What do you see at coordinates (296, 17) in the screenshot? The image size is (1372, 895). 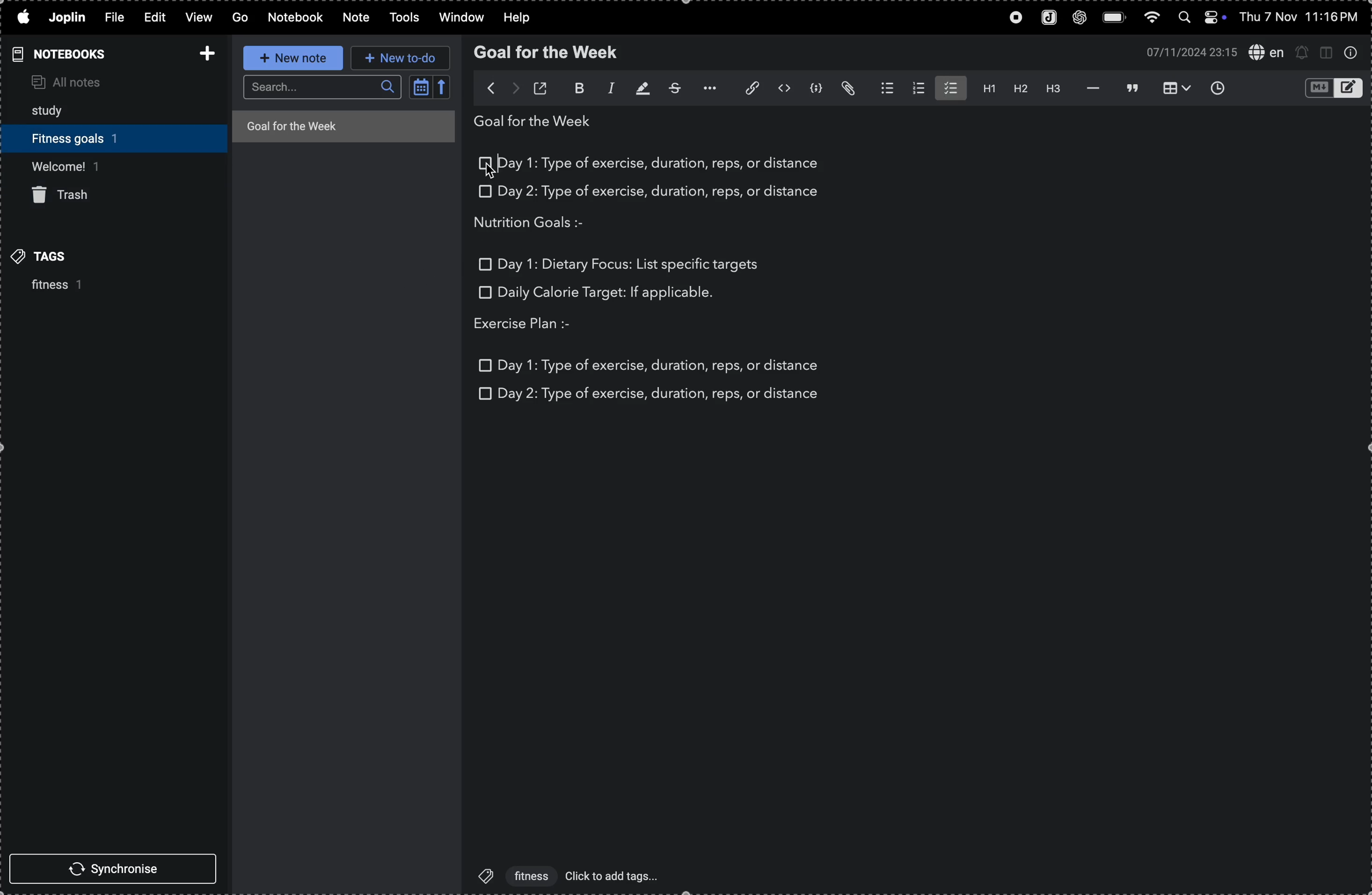 I see `notebook` at bounding box center [296, 17].